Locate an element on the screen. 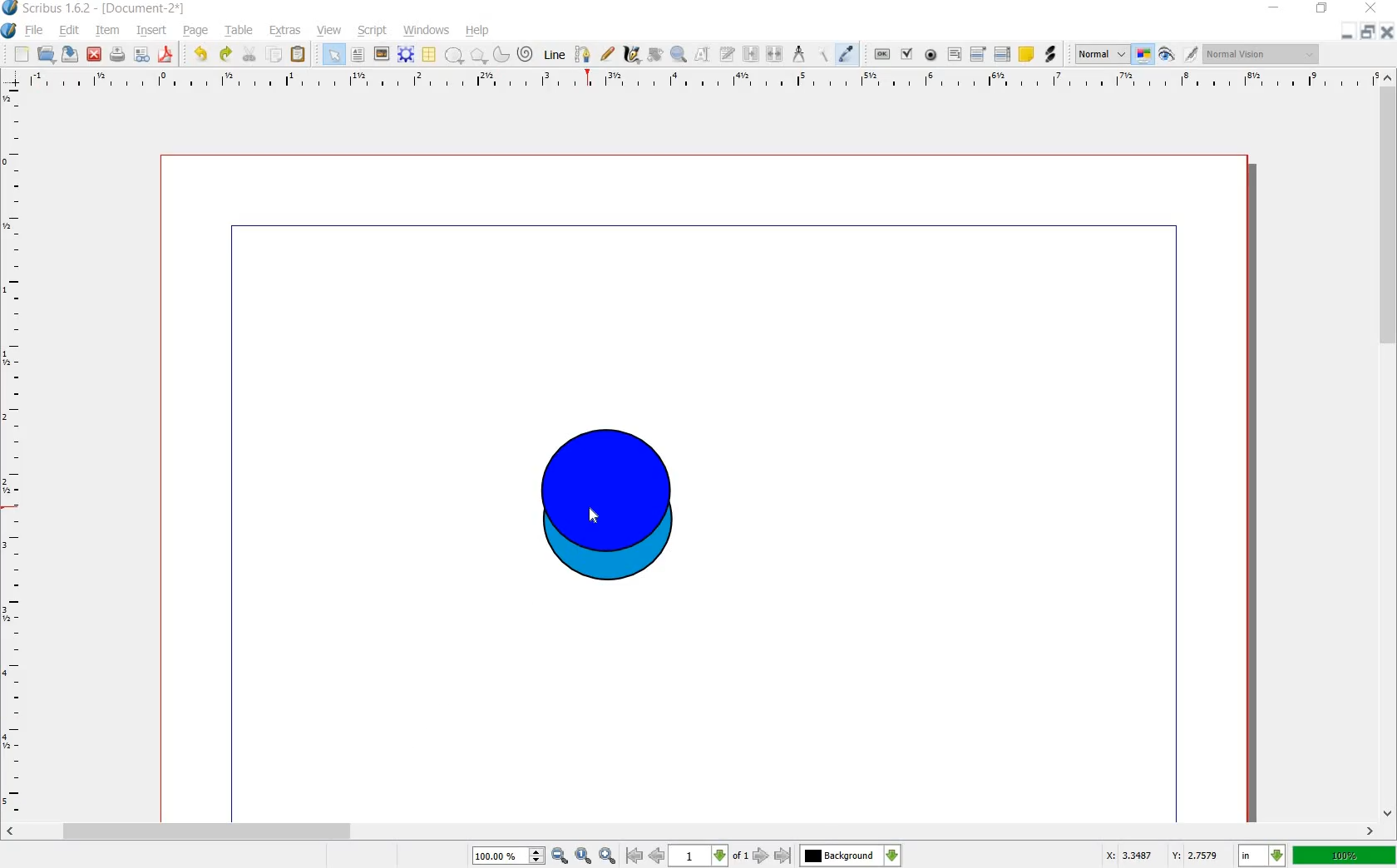 This screenshot has width=1397, height=868. restore is located at coordinates (1368, 33).